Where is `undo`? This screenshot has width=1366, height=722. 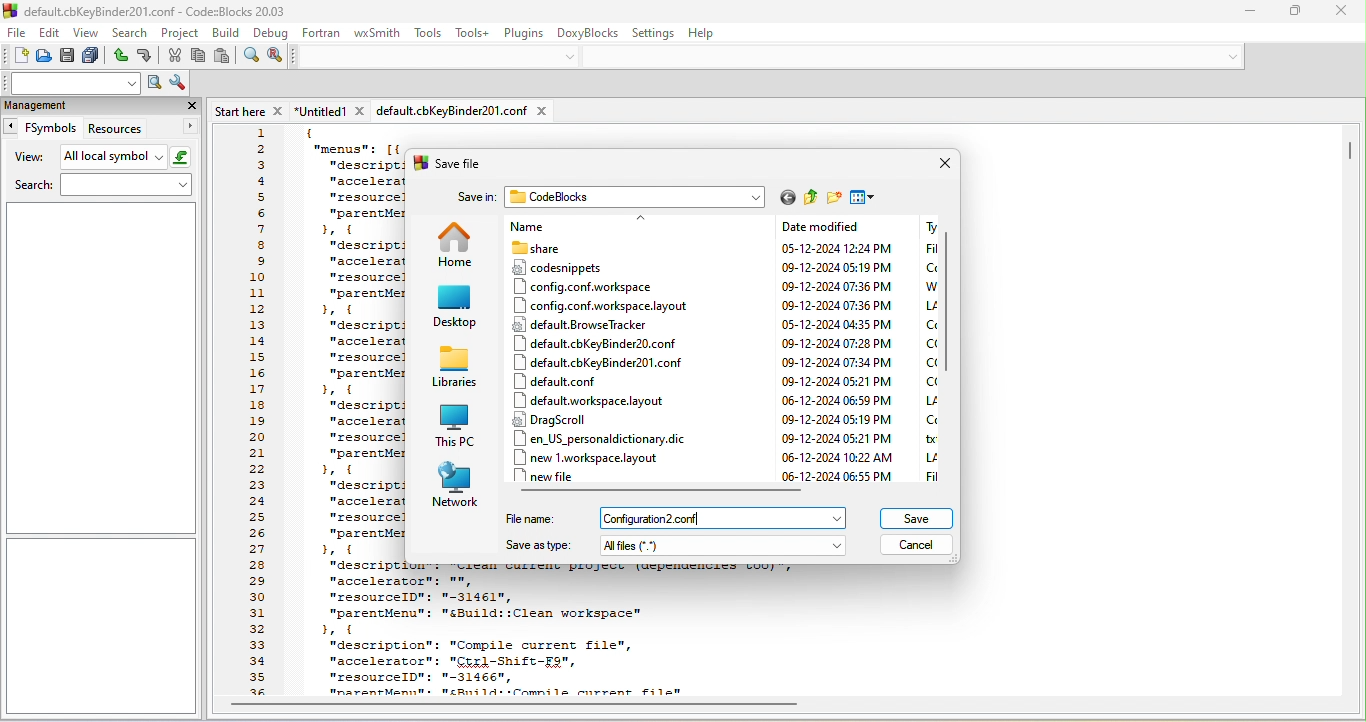
undo is located at coordinates (121, 57).